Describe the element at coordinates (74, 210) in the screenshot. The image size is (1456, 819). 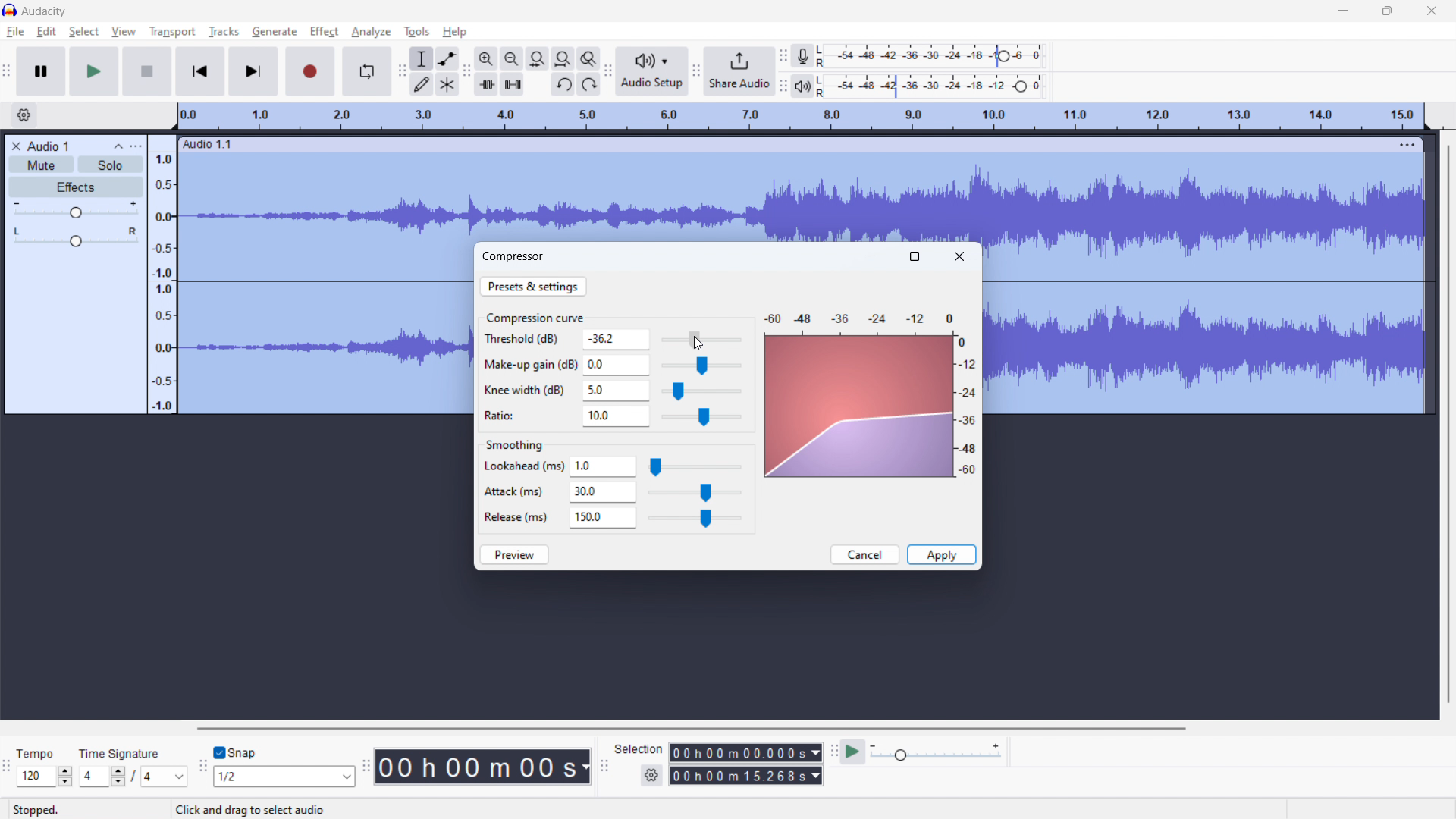
I see `volume` at that location.